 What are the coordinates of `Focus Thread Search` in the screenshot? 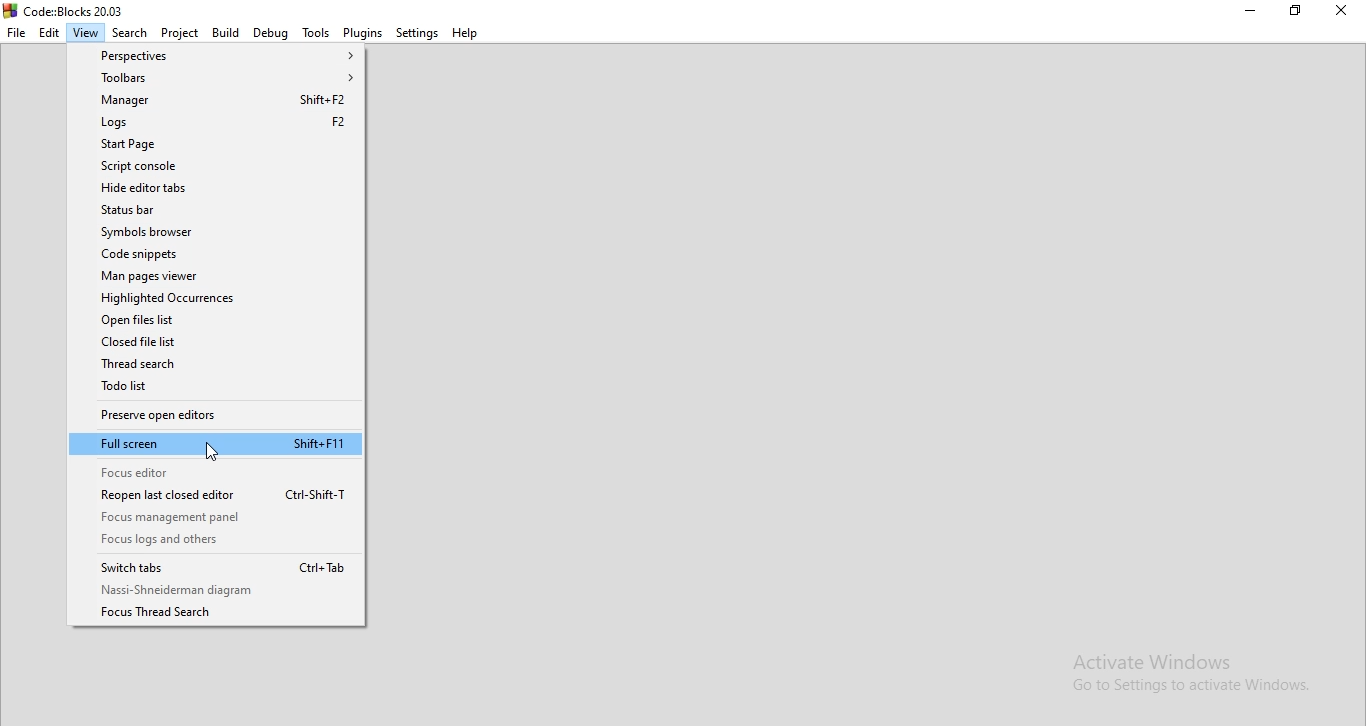 It's located at (218, 613).